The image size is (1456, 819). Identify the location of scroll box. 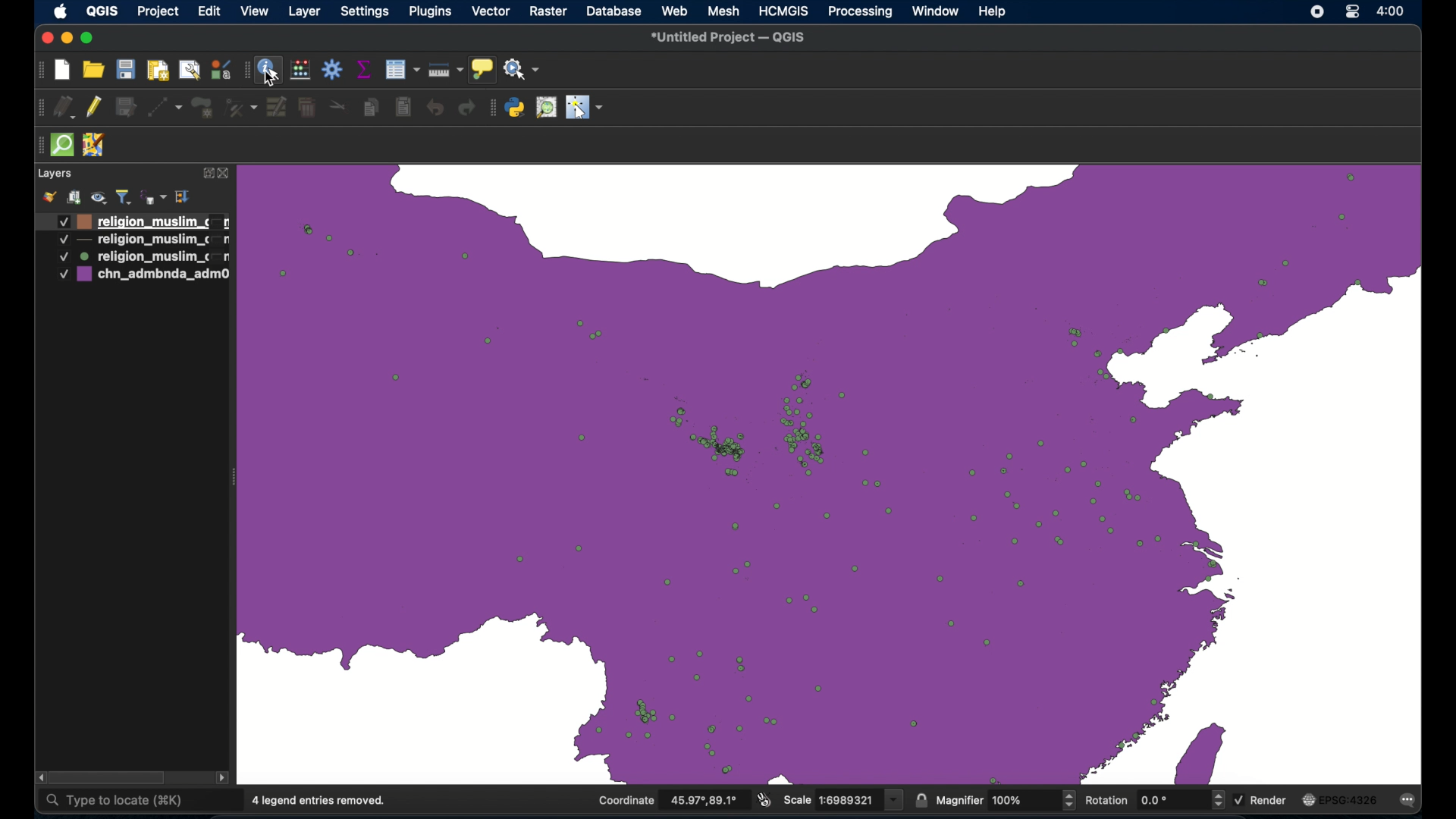
(108, 777).